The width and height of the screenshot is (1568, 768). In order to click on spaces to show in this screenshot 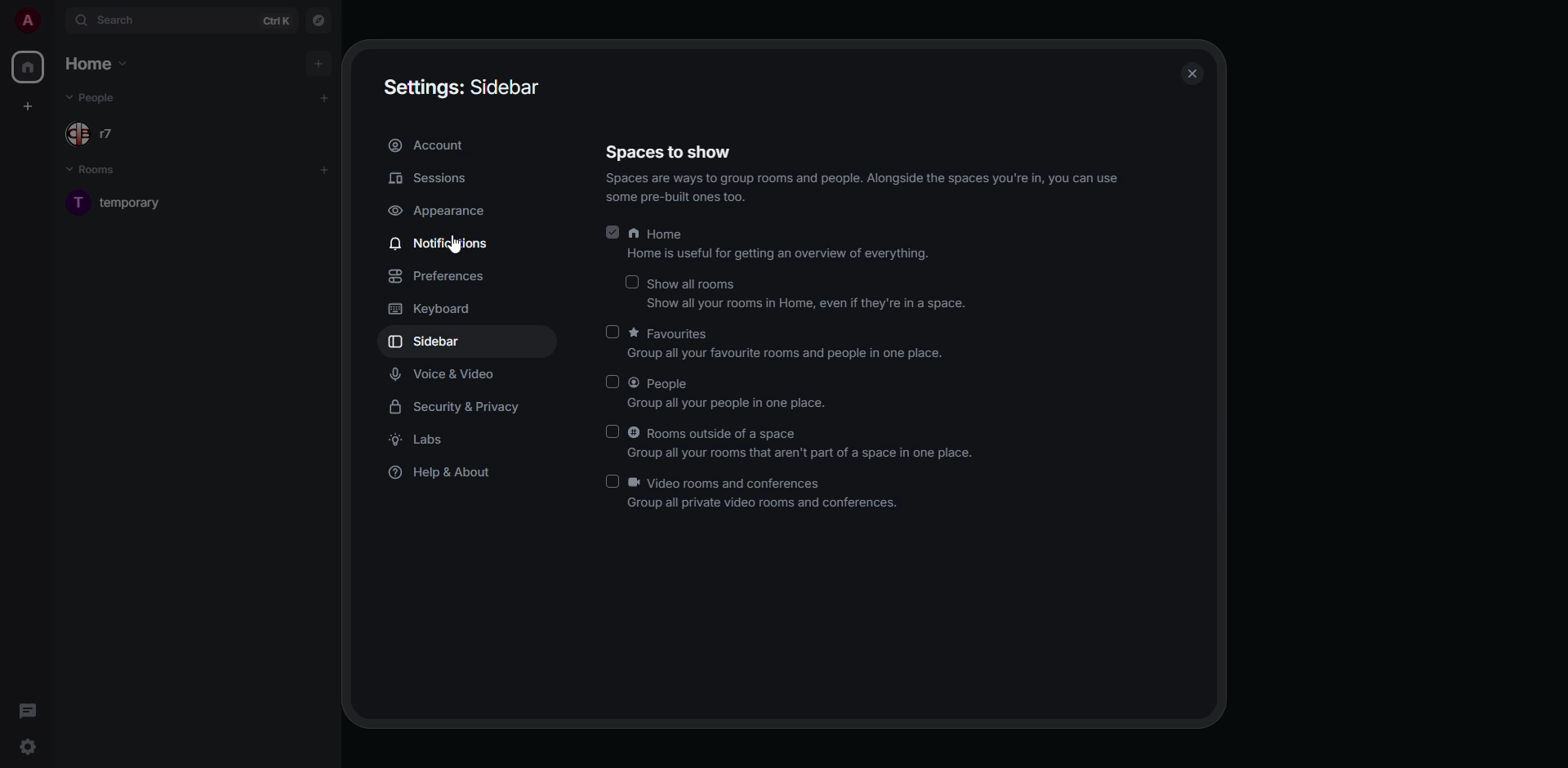, I will do `click(668, 153)`.